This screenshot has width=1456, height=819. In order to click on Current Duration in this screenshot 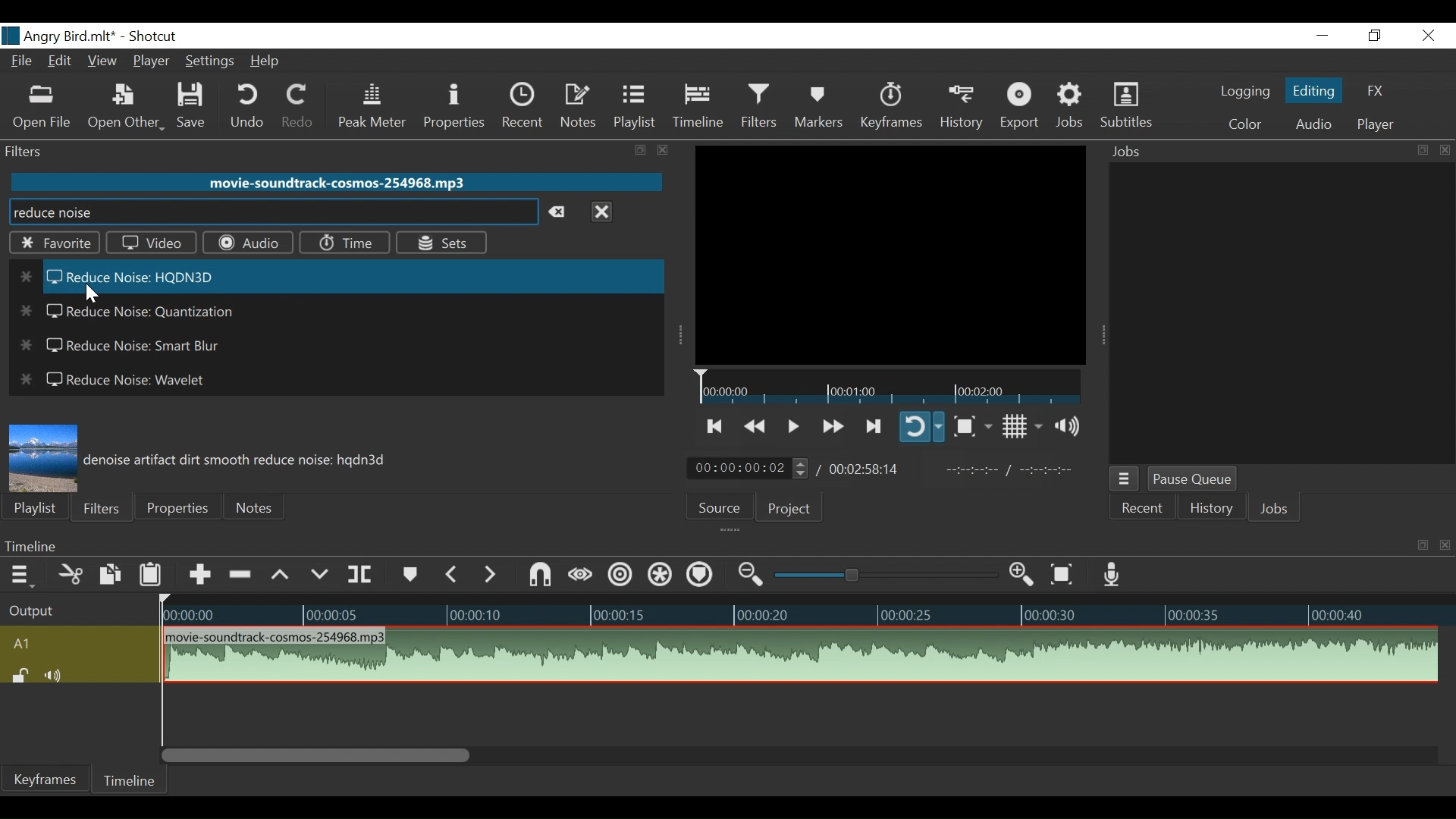, I will do `click(748, 467)`.